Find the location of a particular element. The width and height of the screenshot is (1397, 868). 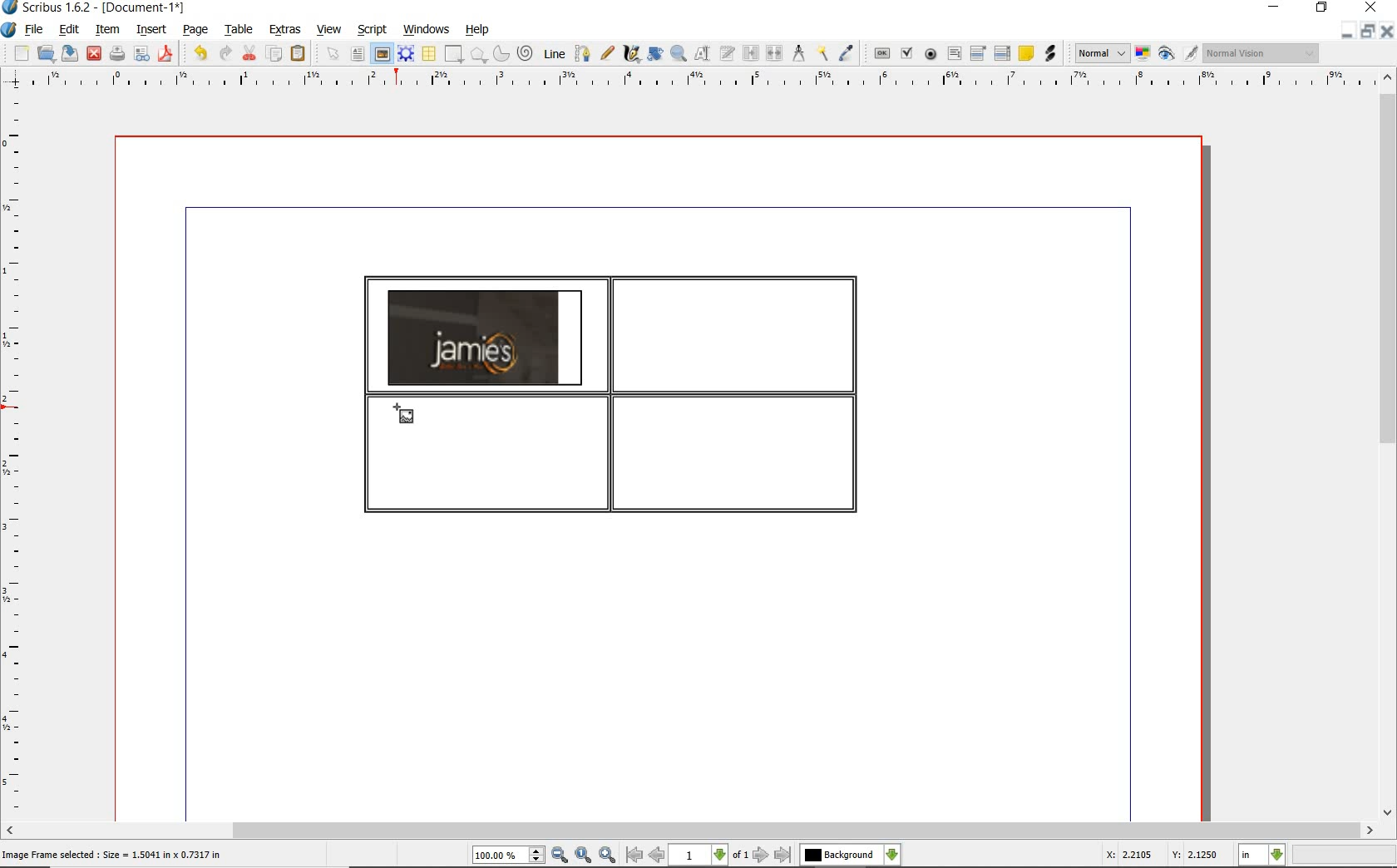

script is located at coordinates (373, 30).